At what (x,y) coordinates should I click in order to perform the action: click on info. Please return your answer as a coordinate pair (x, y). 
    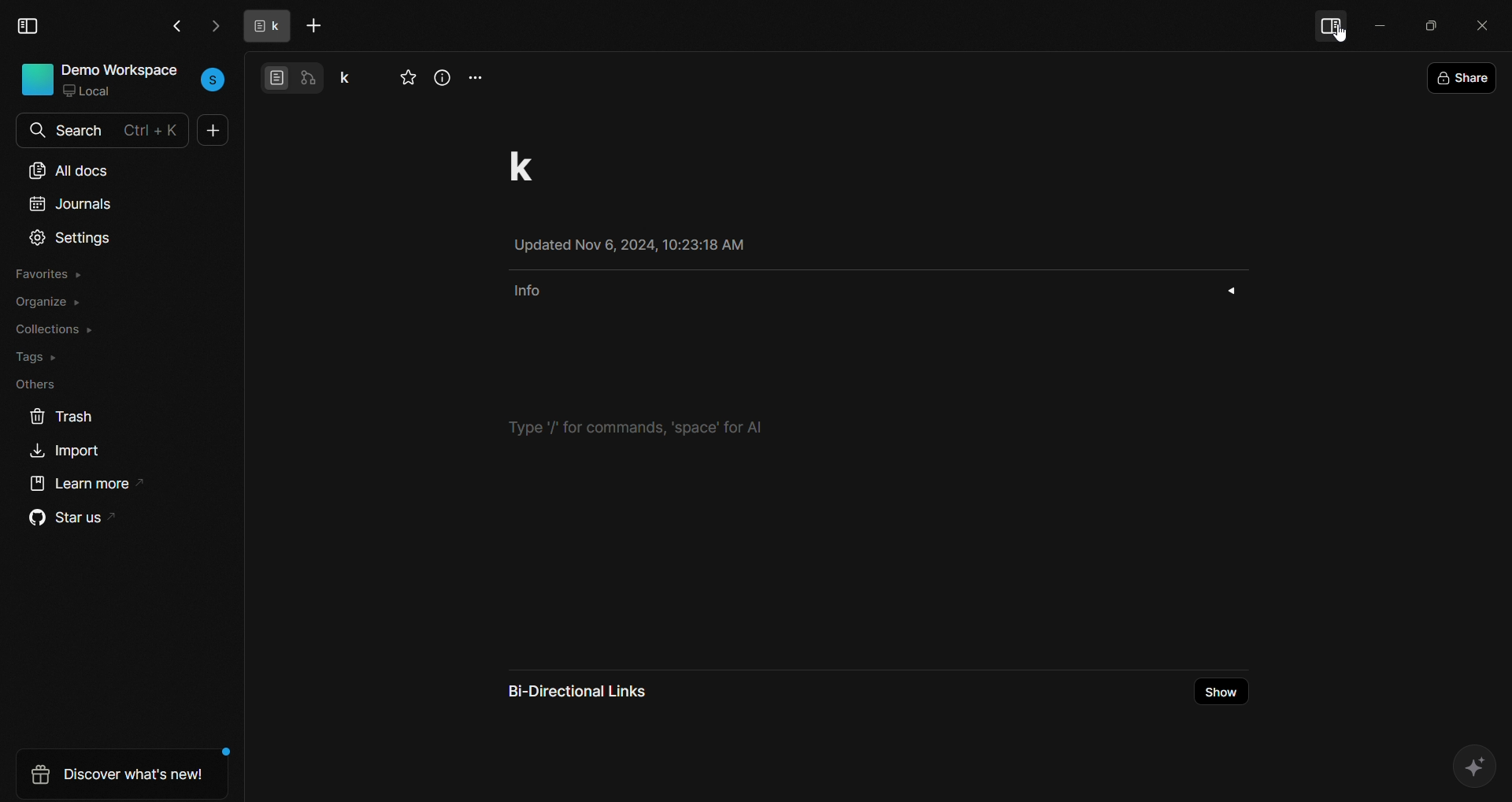
    Looking at the image, I should click on (873, 292).